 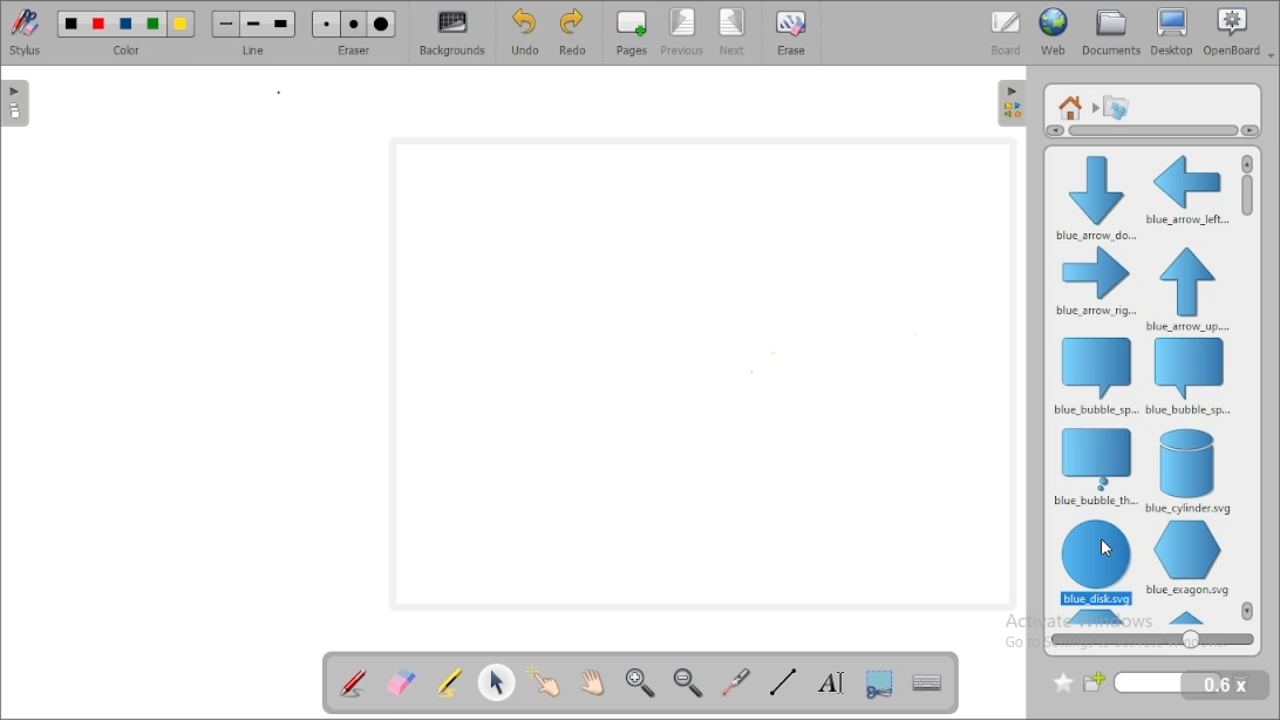 I want to click on backgrounds, so click(x=451, y=33).